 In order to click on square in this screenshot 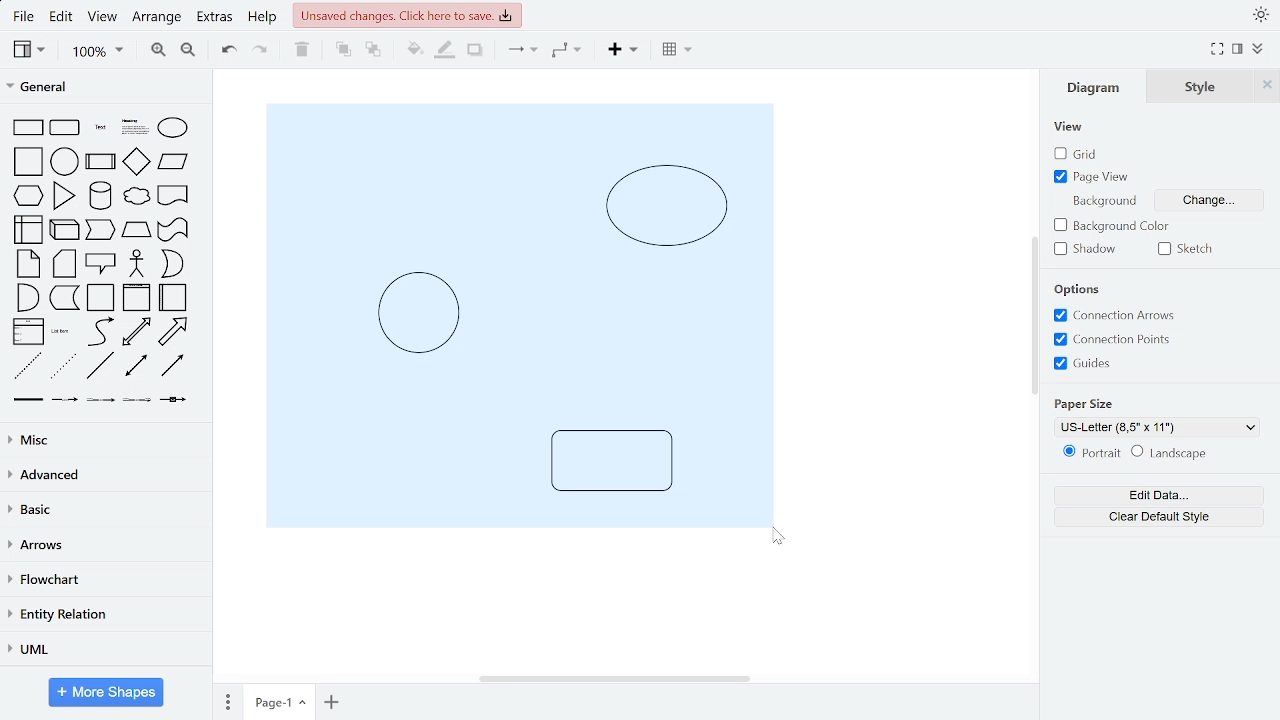, I will do `click(27, 162)`.